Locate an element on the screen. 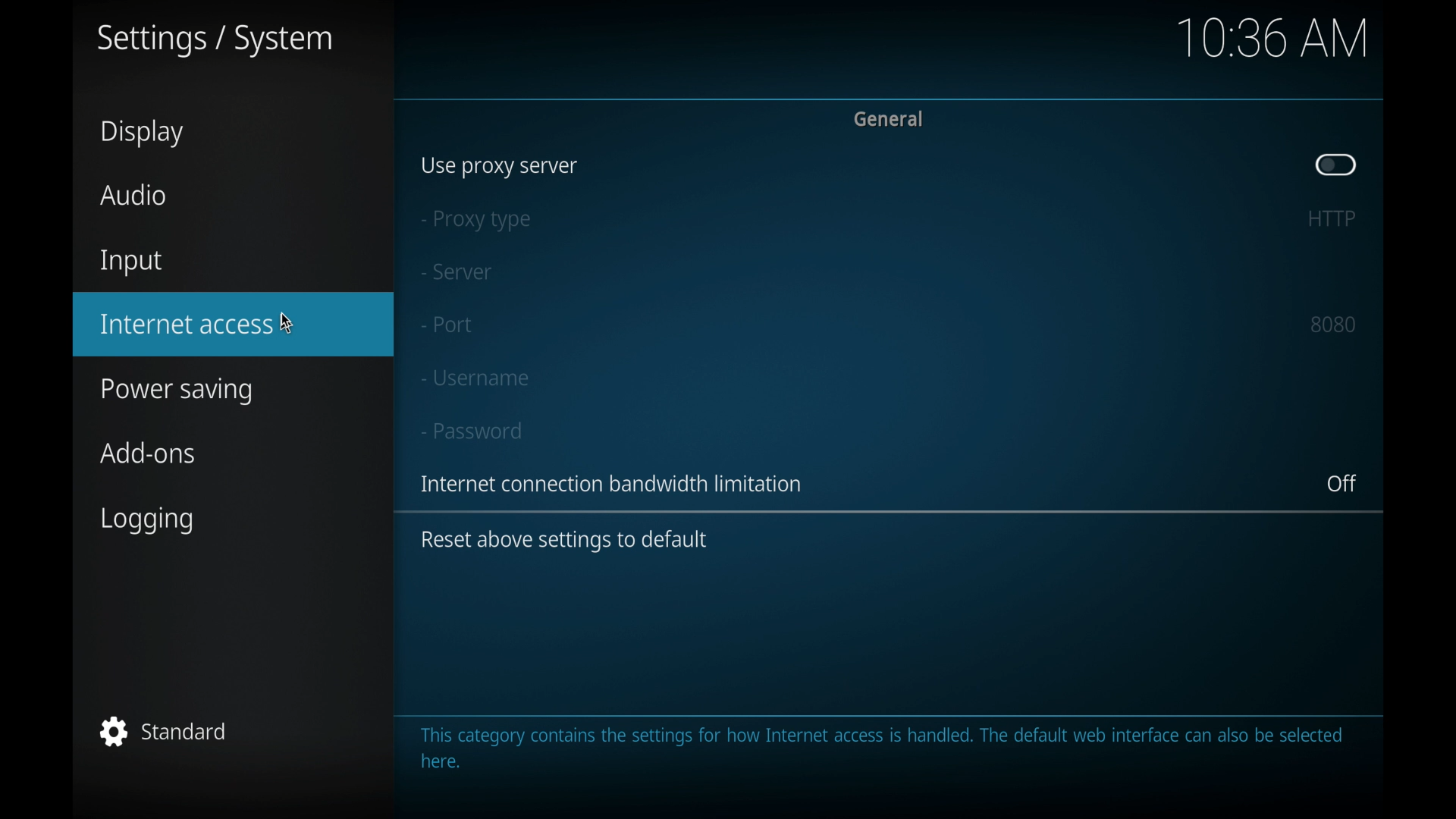 This screenshot has height=819, width=1456. use proxy server is located at coordinates (500, 167).